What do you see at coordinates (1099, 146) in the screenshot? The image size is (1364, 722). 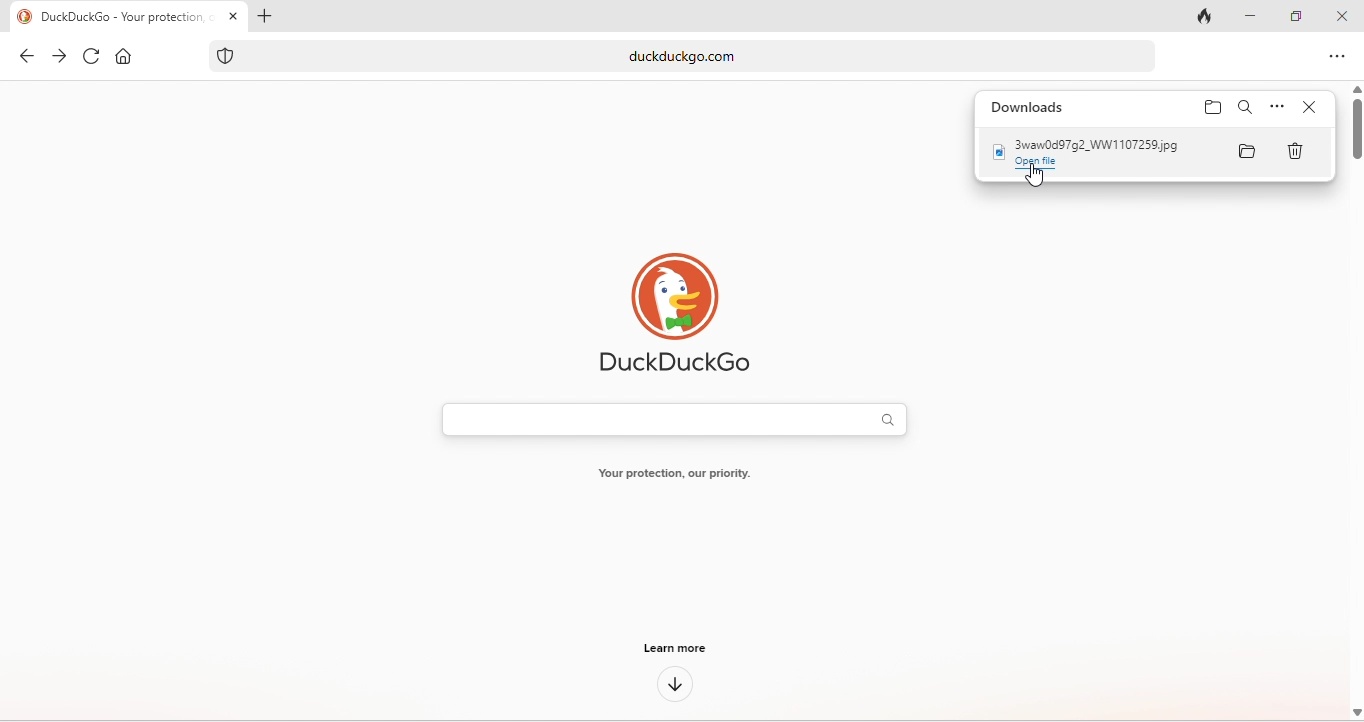 I see `3waw0d97g2_WW1107259,jpg` at bounding box center [1099, 146].